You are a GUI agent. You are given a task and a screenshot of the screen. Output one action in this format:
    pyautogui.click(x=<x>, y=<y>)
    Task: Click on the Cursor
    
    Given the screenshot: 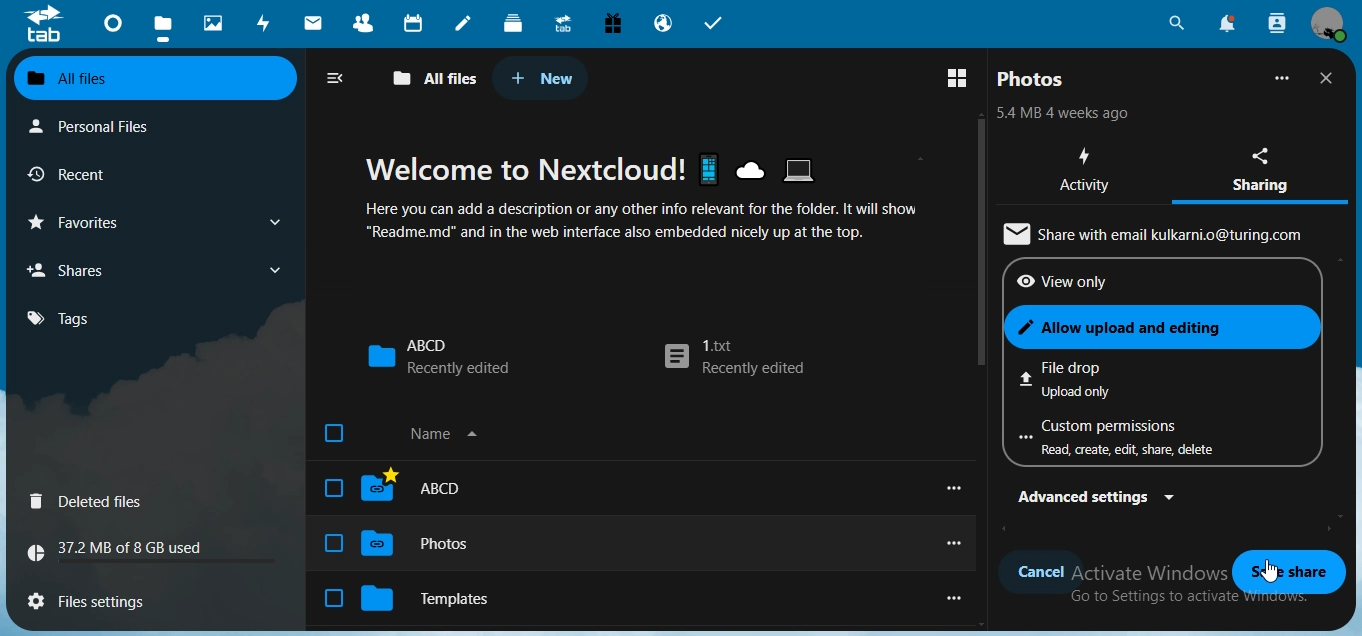 What is the action you would take?
    pyautogui.click(x=1271, y=571)
    